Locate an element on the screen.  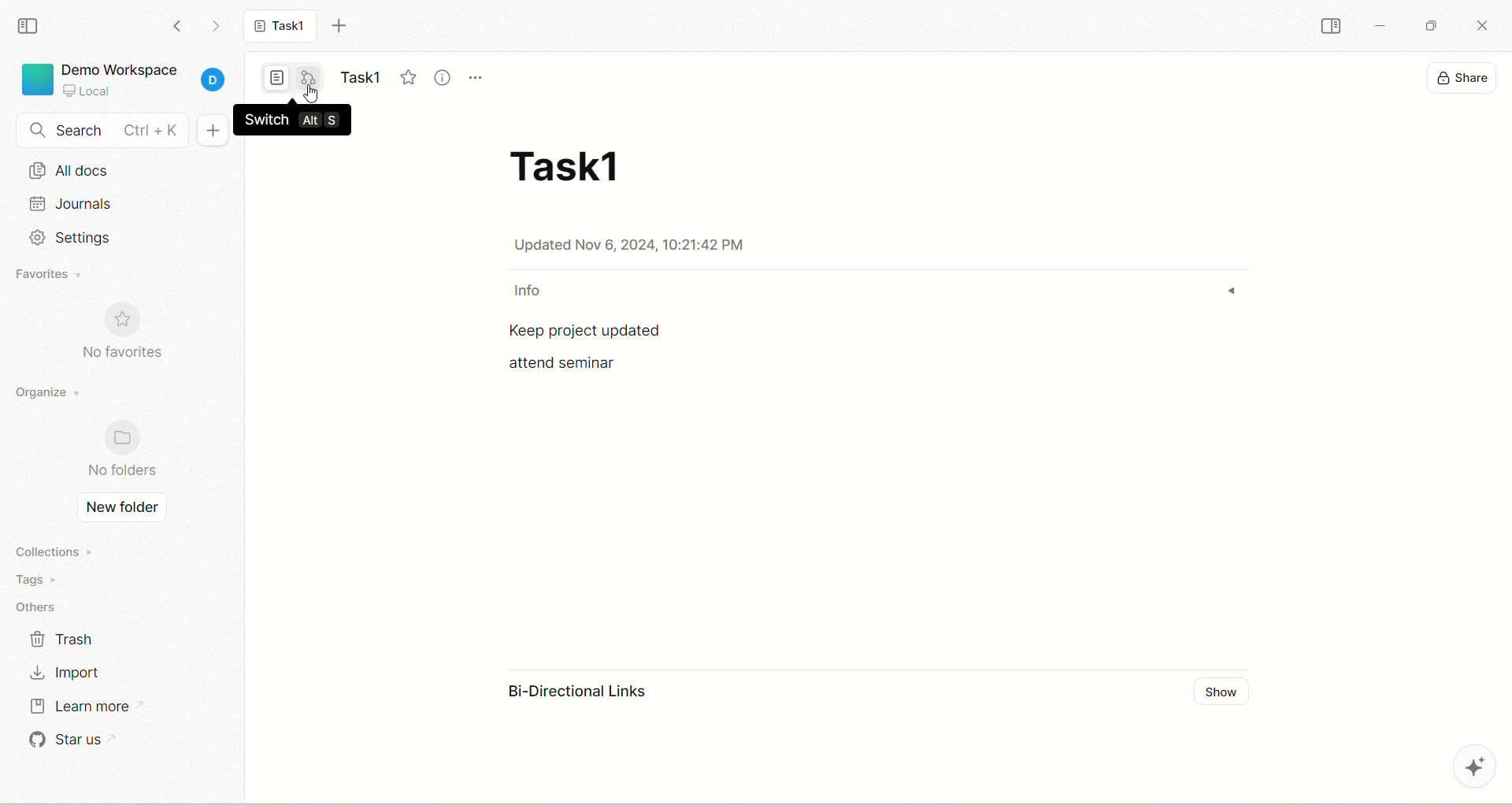
import is located at coordinates (65, 673).